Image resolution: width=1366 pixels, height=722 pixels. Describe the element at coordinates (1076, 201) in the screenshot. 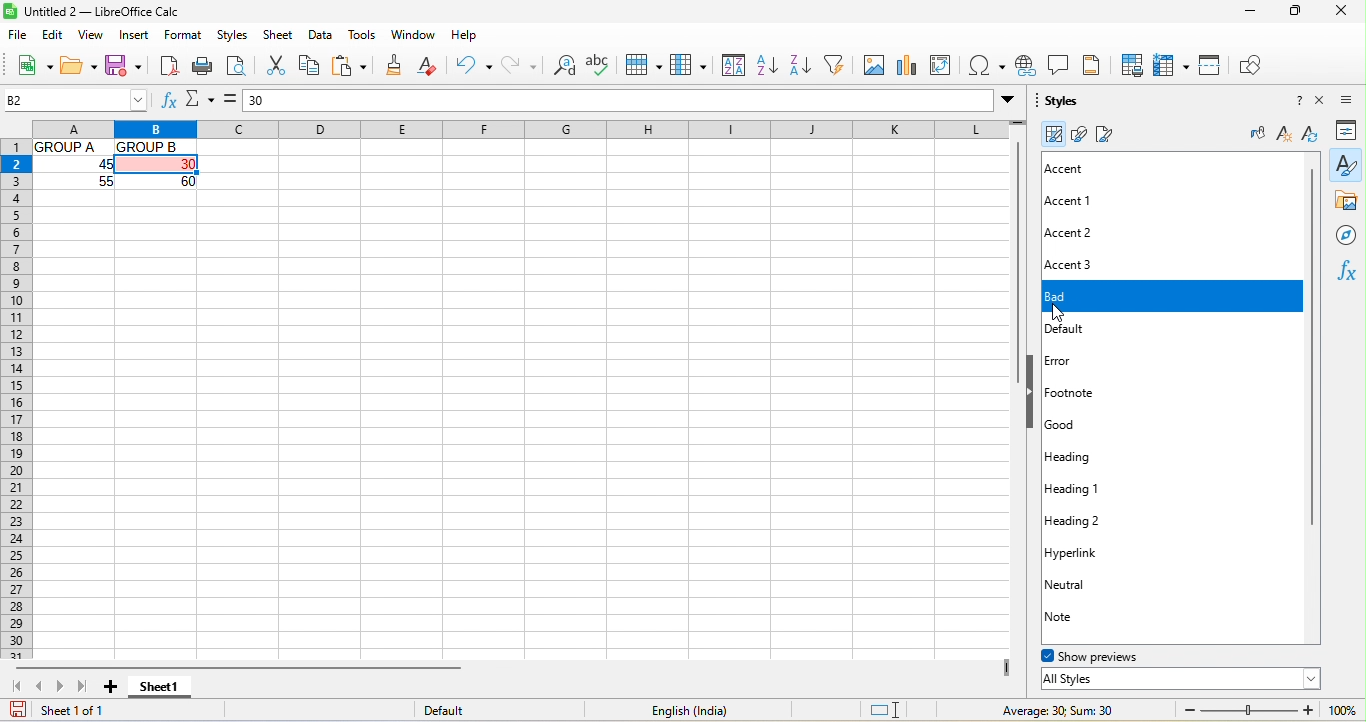

I see `accent1` at that location.